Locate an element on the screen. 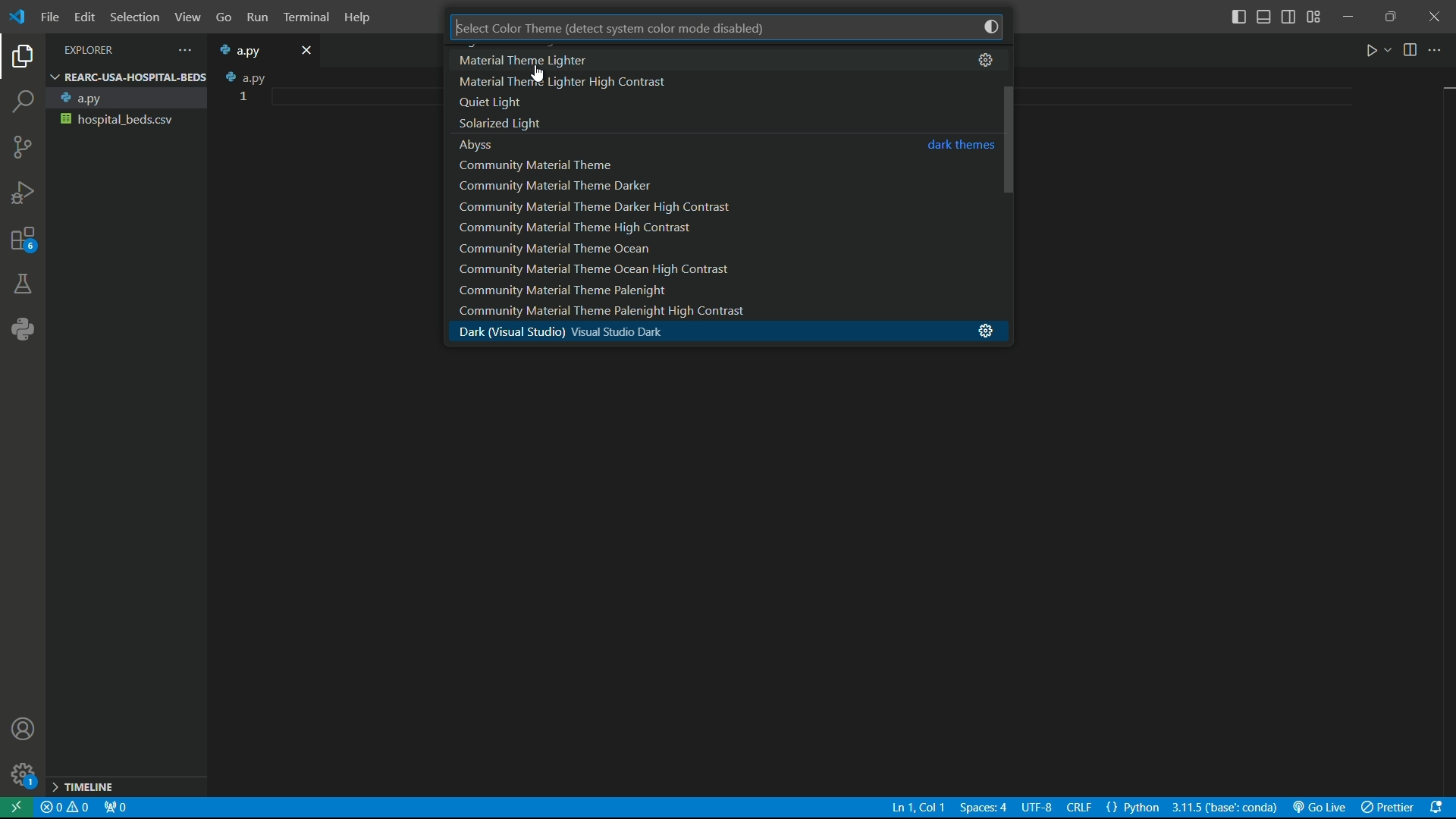 This screenshot has width=1456, height=819. Community Material Theme Ocean is located at coordinates (591, 248).